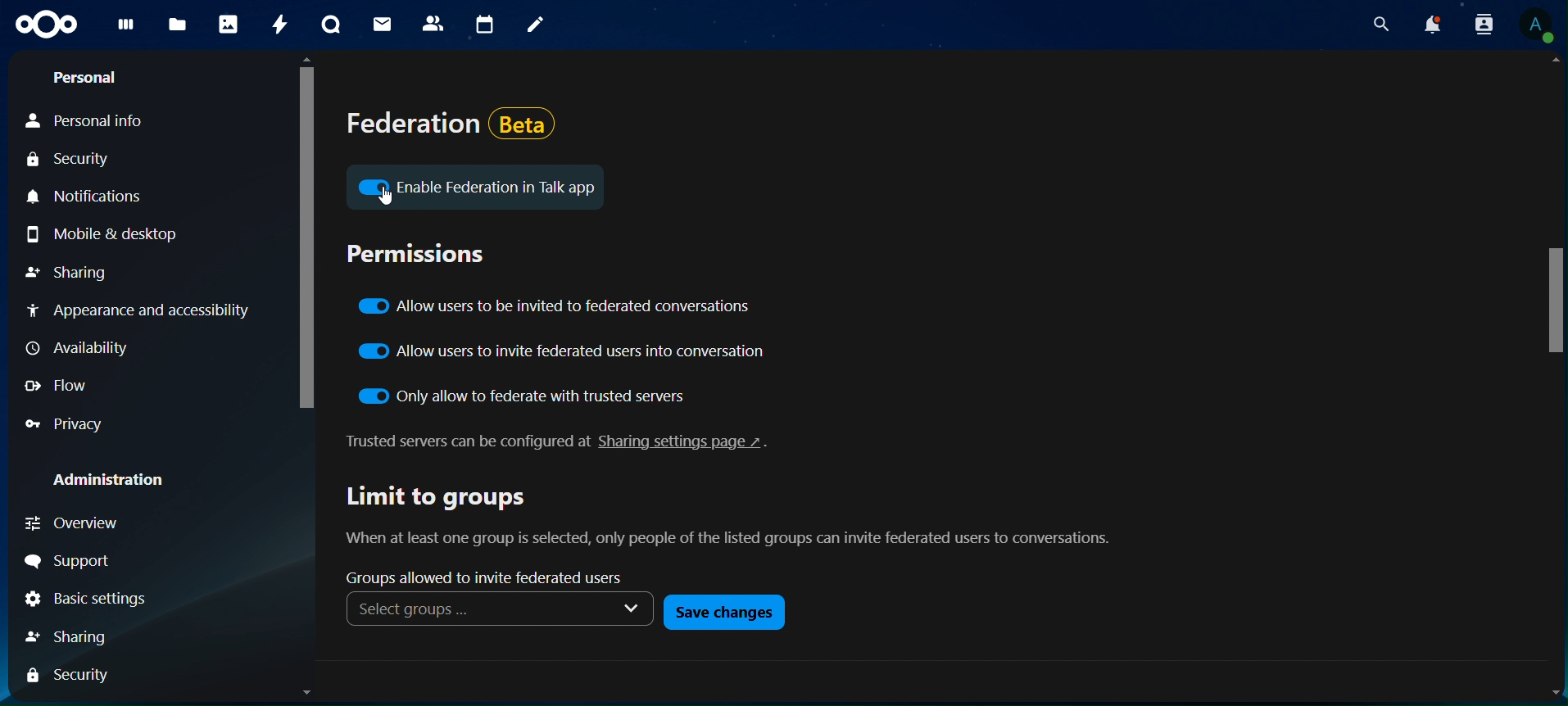  Describe the element at coordinates (433, 23) in the screenshot. I see `contacts` at that location.